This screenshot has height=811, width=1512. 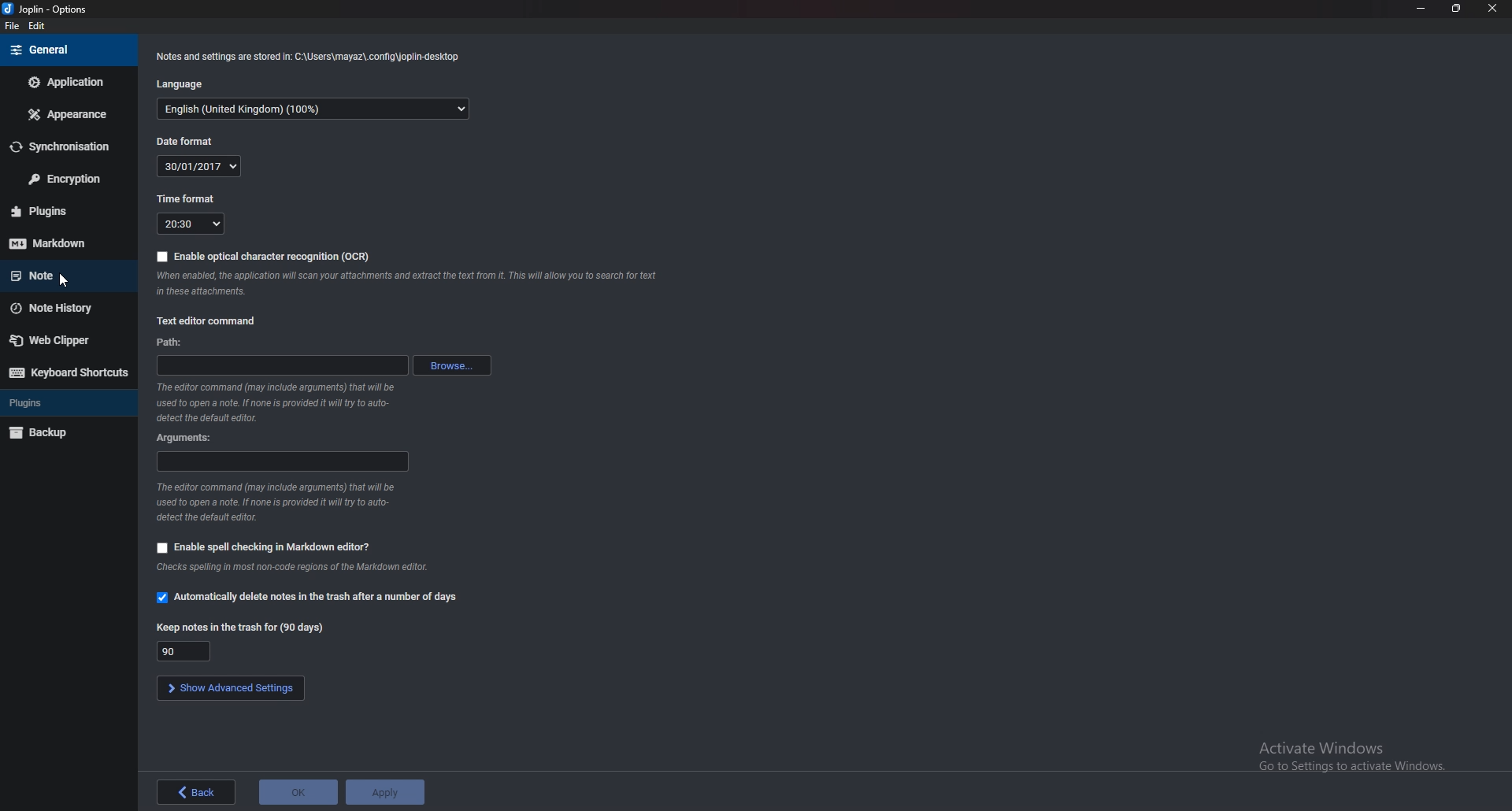 I want to click on Keyboard shortcuts, so click(x=69, y=372).